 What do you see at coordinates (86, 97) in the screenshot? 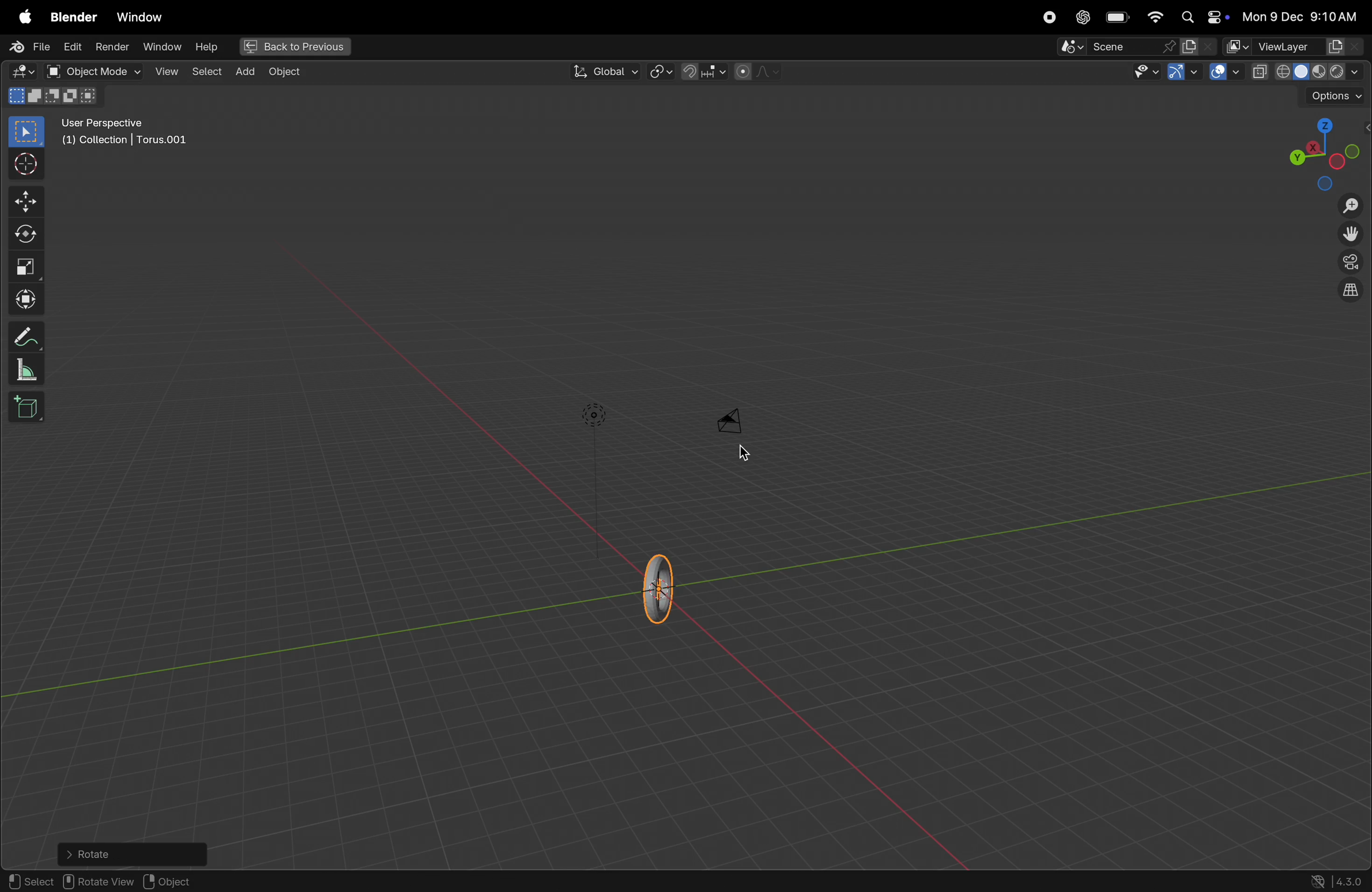
I see `90 degrees` at bounding box center [86, 97].